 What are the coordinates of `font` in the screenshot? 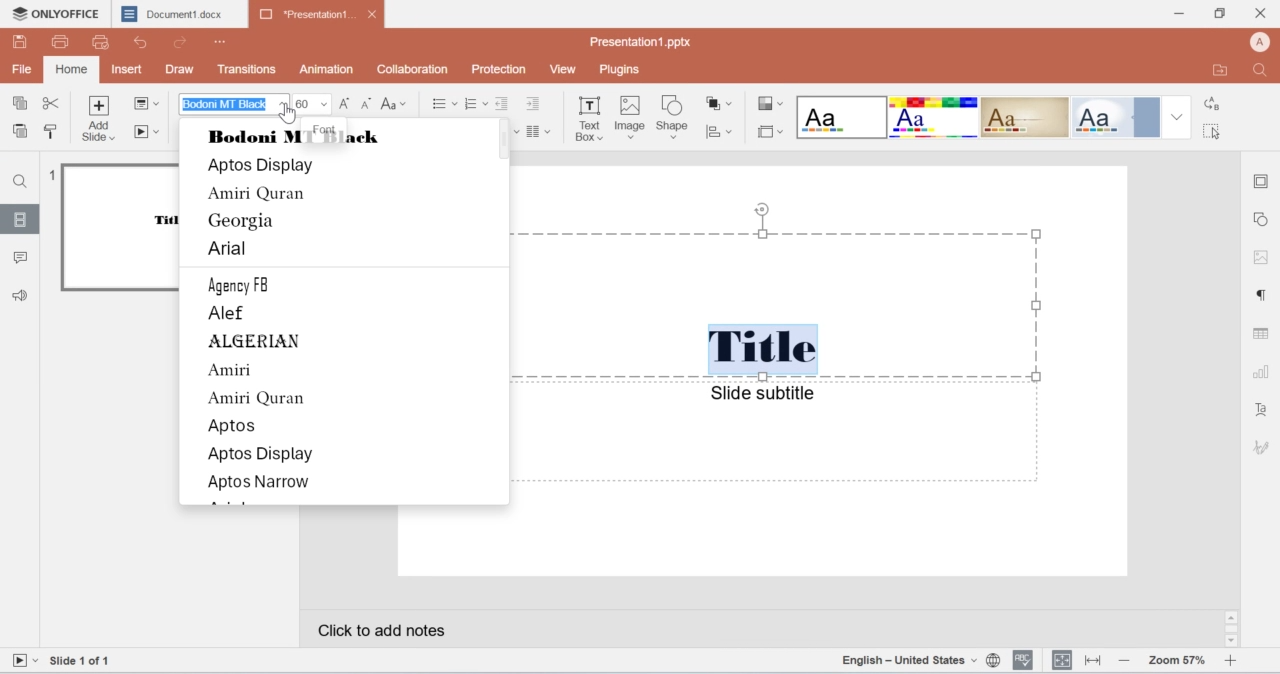 It's located at (233, 103).